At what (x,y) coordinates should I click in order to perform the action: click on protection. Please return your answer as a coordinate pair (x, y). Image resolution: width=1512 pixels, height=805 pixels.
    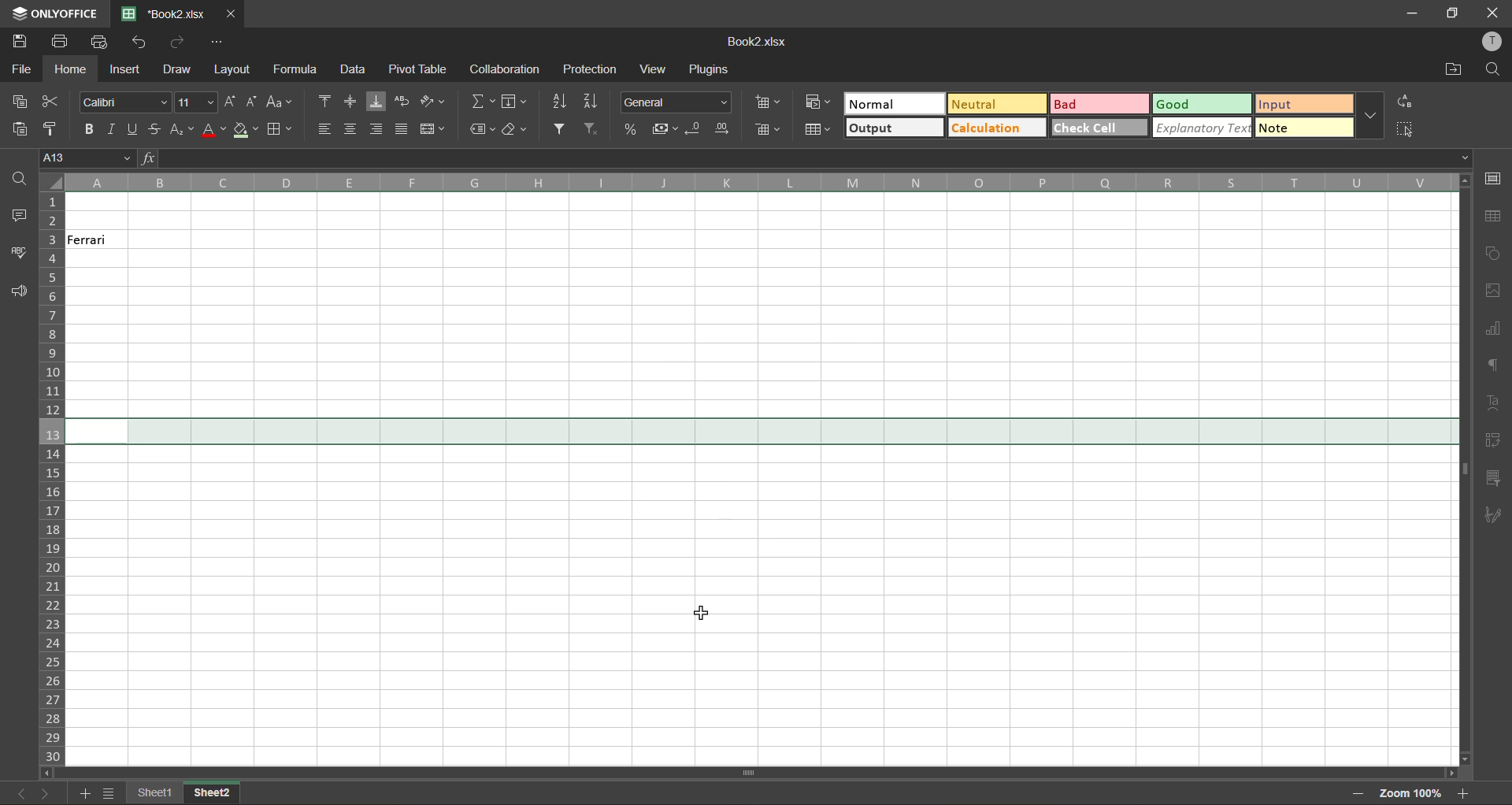
    Looking at the image, I should click on (593, 70).